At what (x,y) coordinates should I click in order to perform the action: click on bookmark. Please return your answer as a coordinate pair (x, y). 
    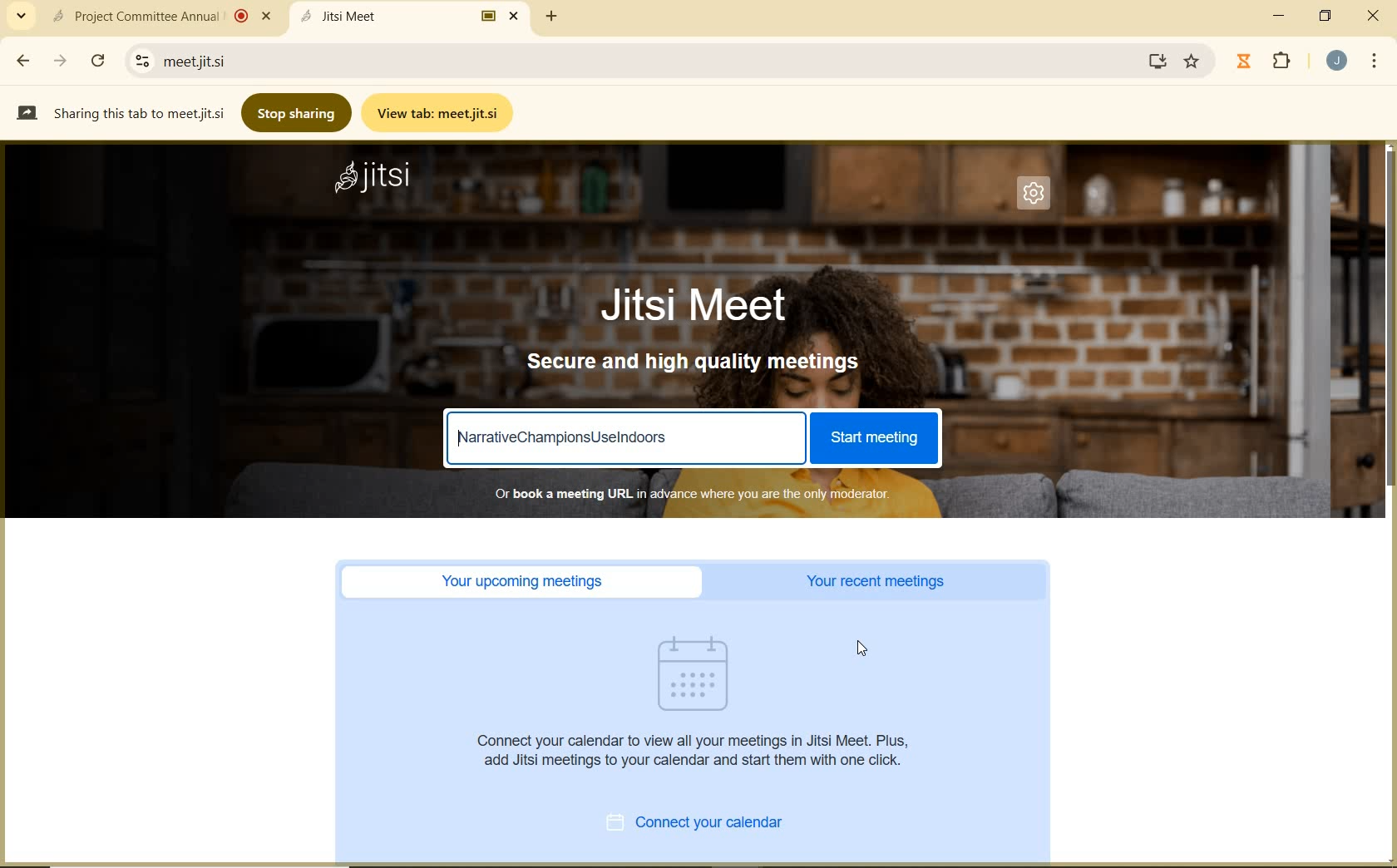
    Looking at the image, I should click on (1193, 62).